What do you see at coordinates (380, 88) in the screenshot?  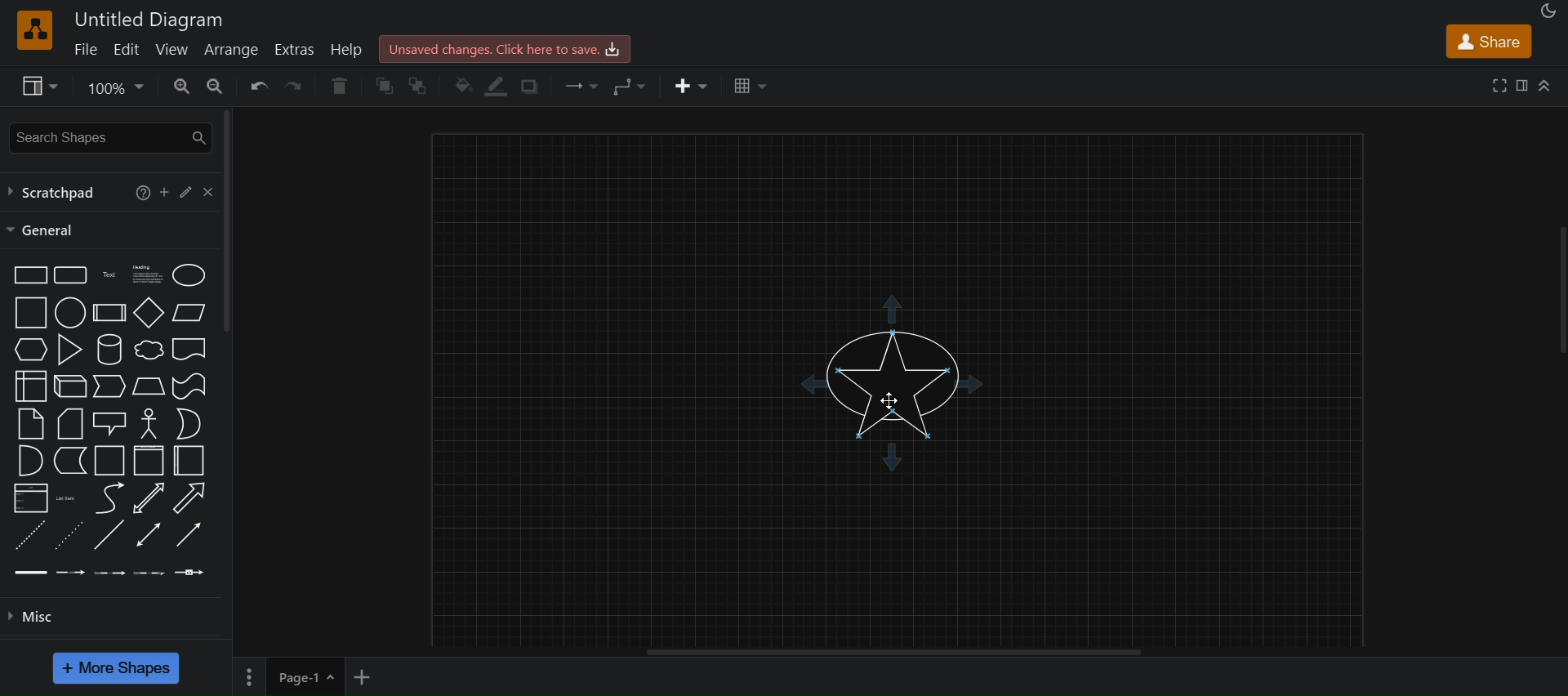 I see `to front ` at bounding box center [380, 88].